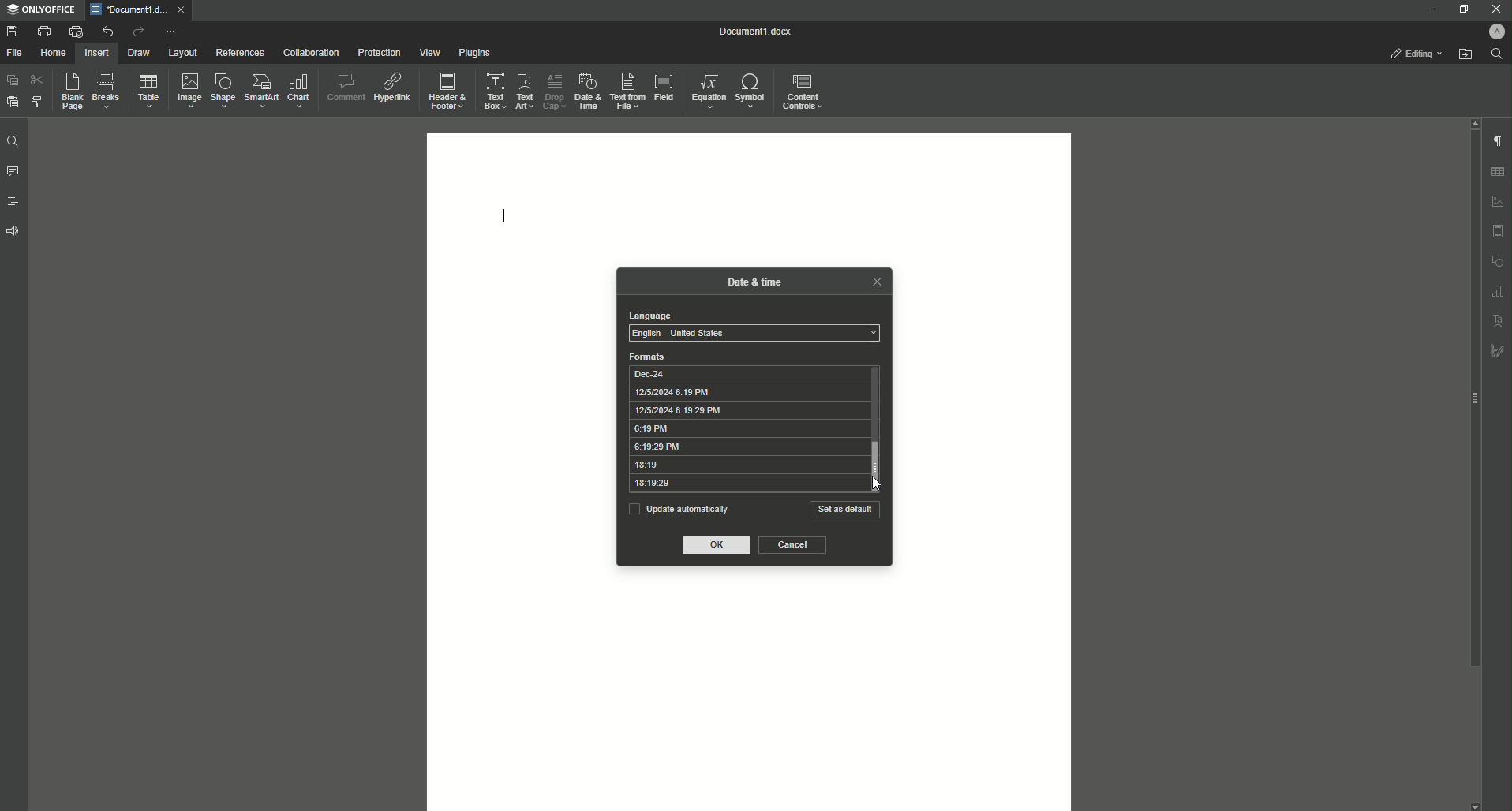 The image size is (1512, 811). What do you see at coordinates (12, 141) in the screenshot?
I see `Find` at bounding box center [12, 141].